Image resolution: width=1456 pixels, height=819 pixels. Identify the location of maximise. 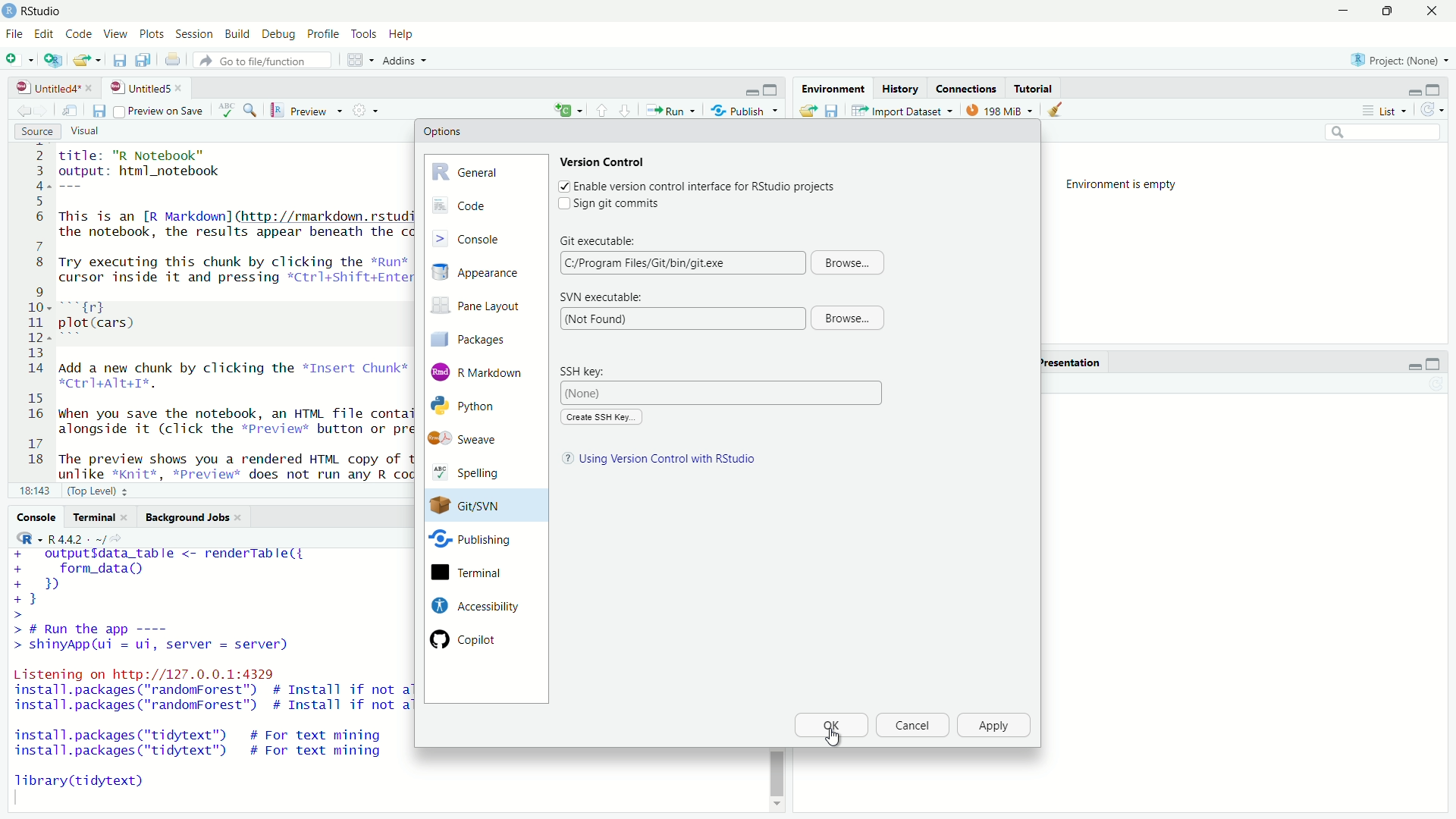
(1385, 11).